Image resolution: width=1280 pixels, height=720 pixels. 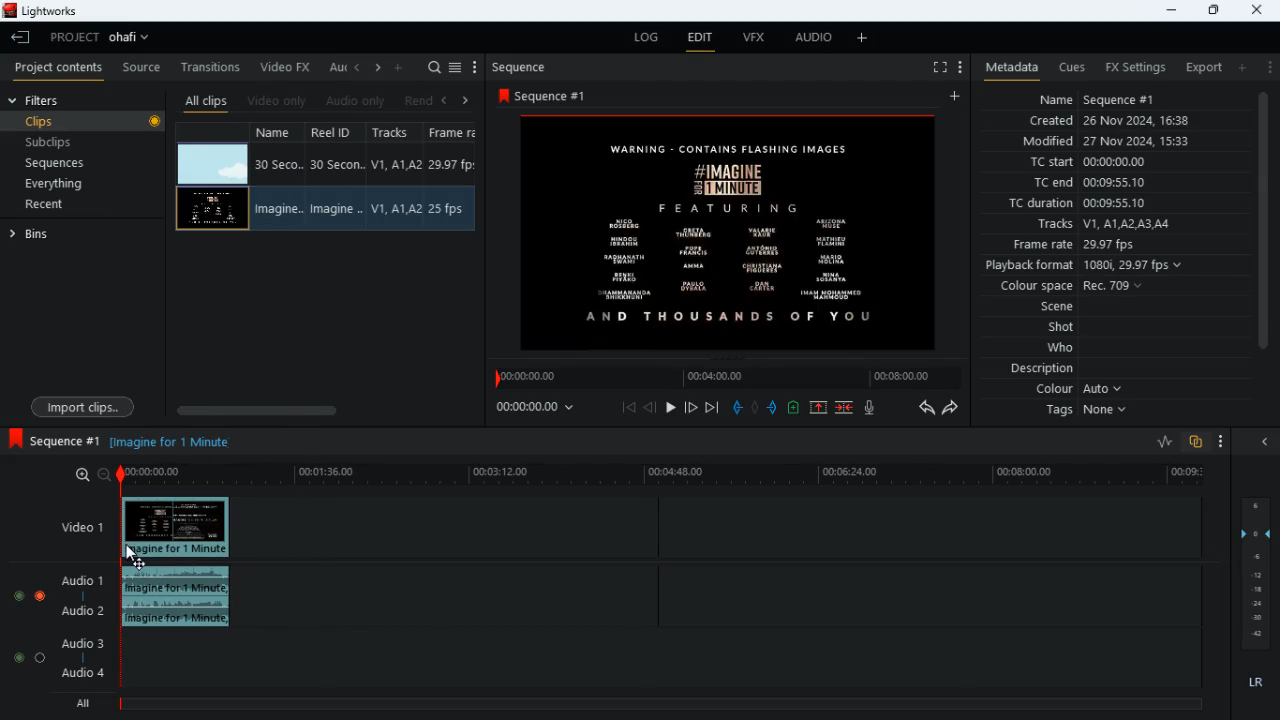 I want to click on sequence, so click(x=528, y=67).